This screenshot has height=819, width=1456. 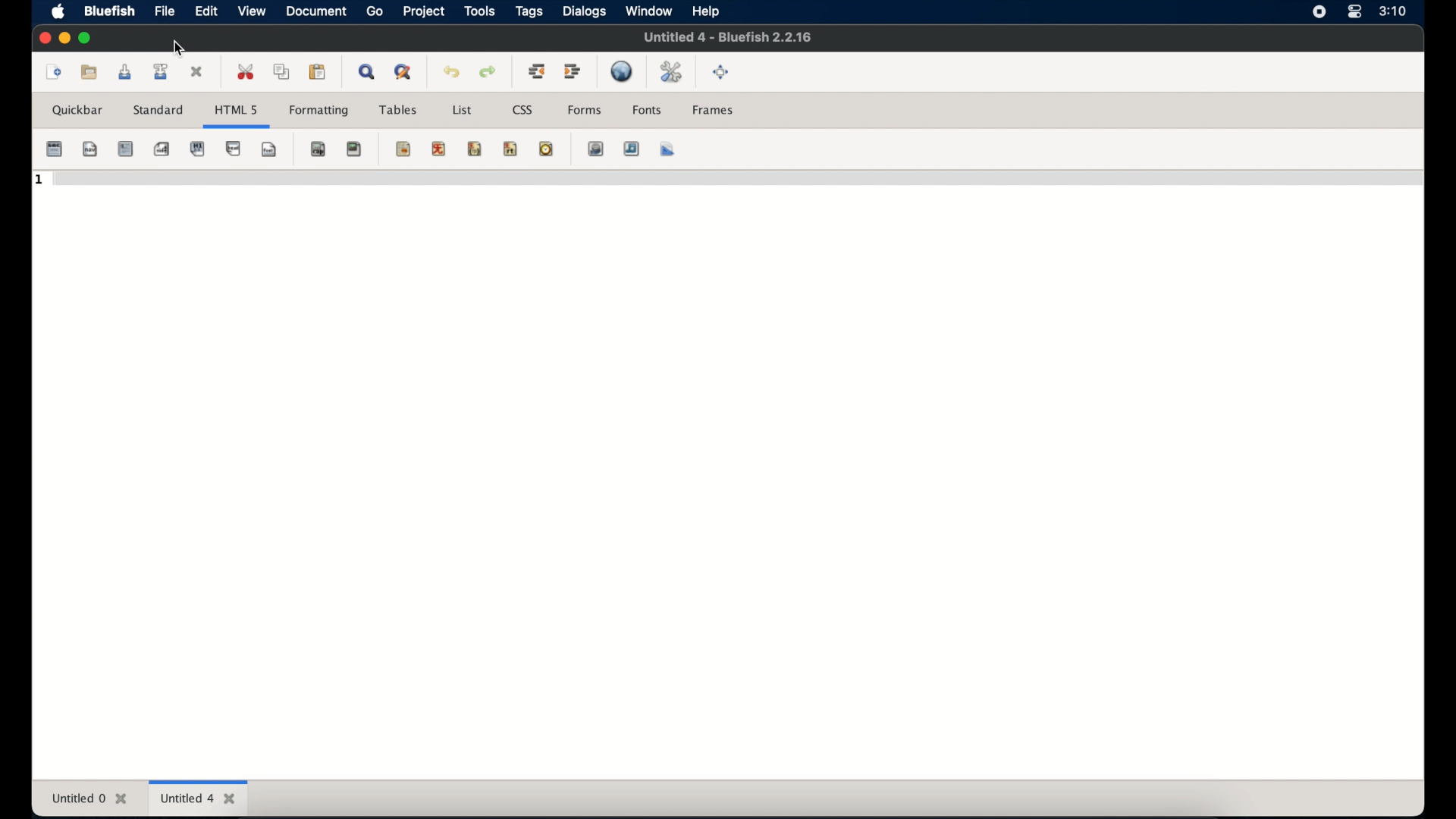 I want to click on center, so click(x=439, y=149).